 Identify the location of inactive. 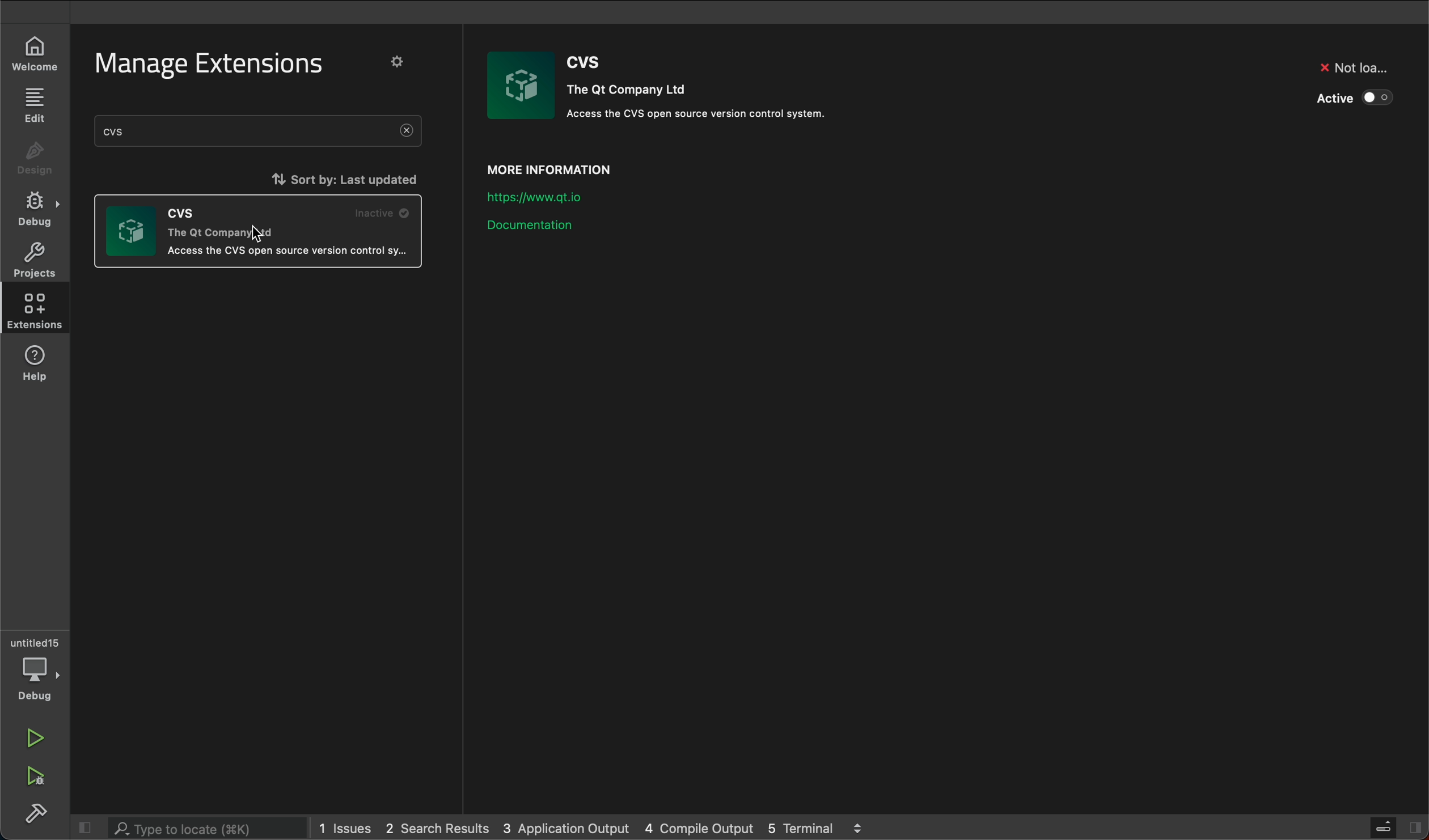
(384, 213).